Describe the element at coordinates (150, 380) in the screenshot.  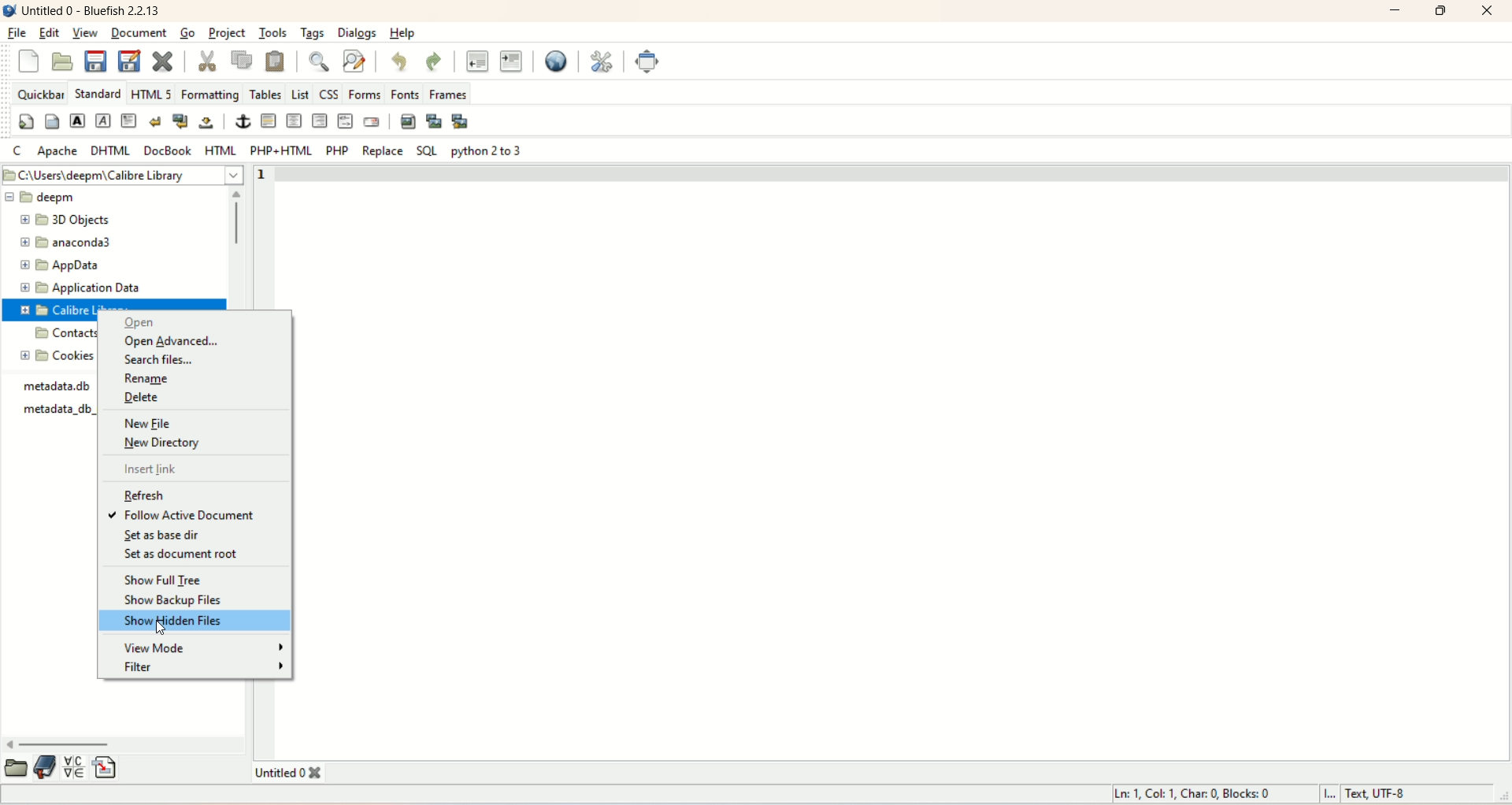
I see `rename` at that location.